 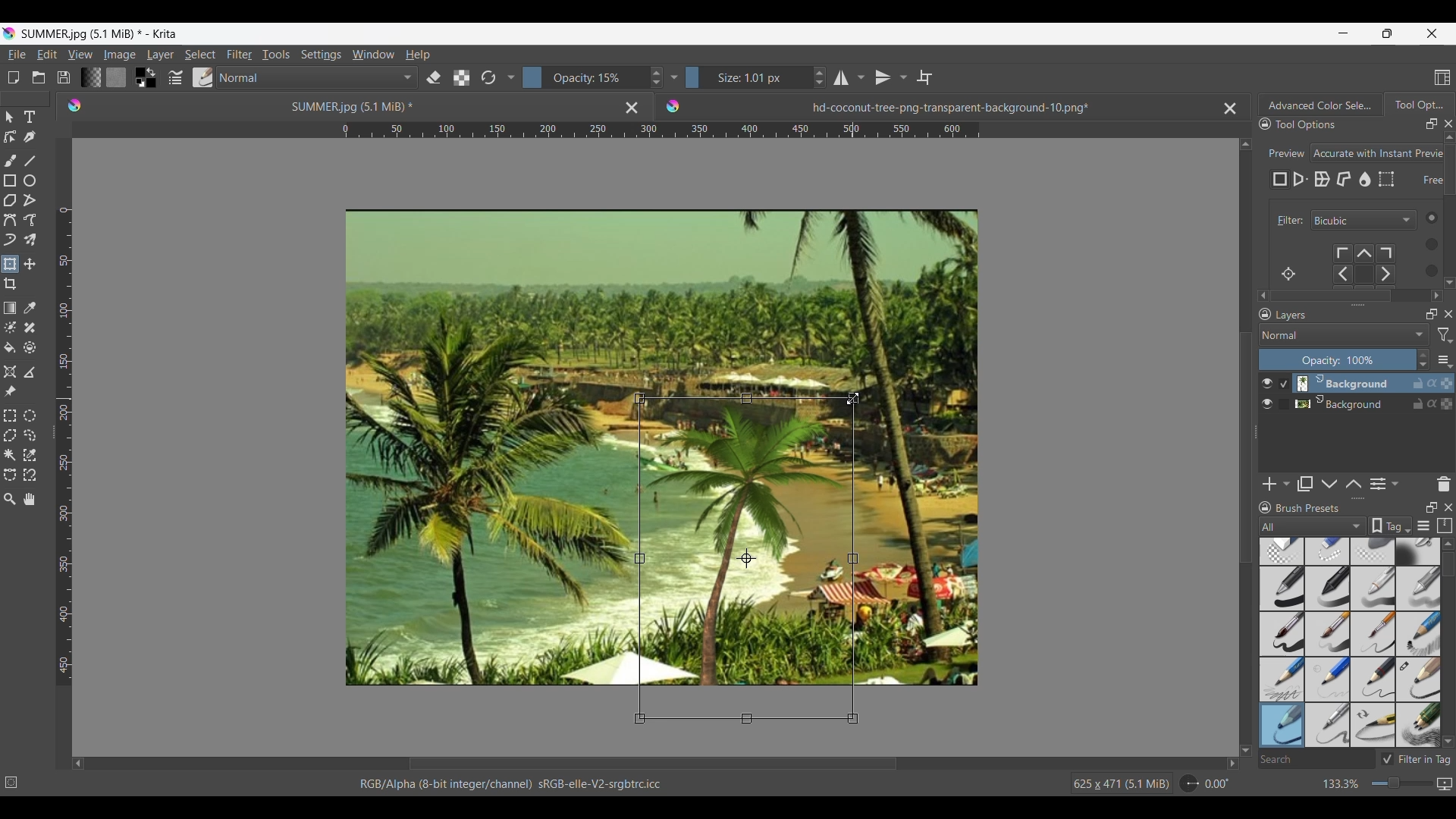 What do you see at coordinates (902, 77) in the screenshot?
I see `Vertical flip options` at bounding box center [902, 77].